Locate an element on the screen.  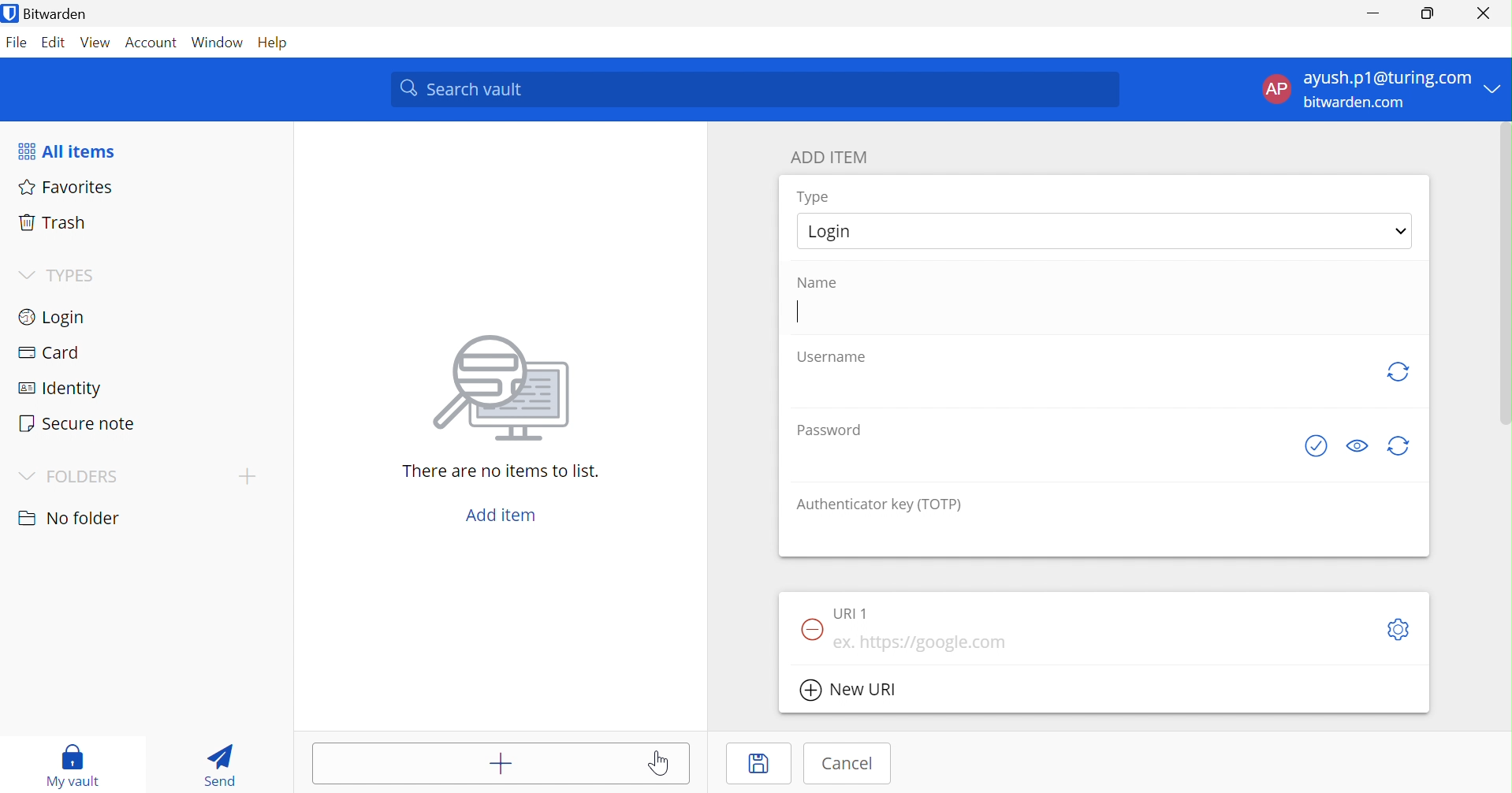
Cancel is located at coordinates (851, 764).